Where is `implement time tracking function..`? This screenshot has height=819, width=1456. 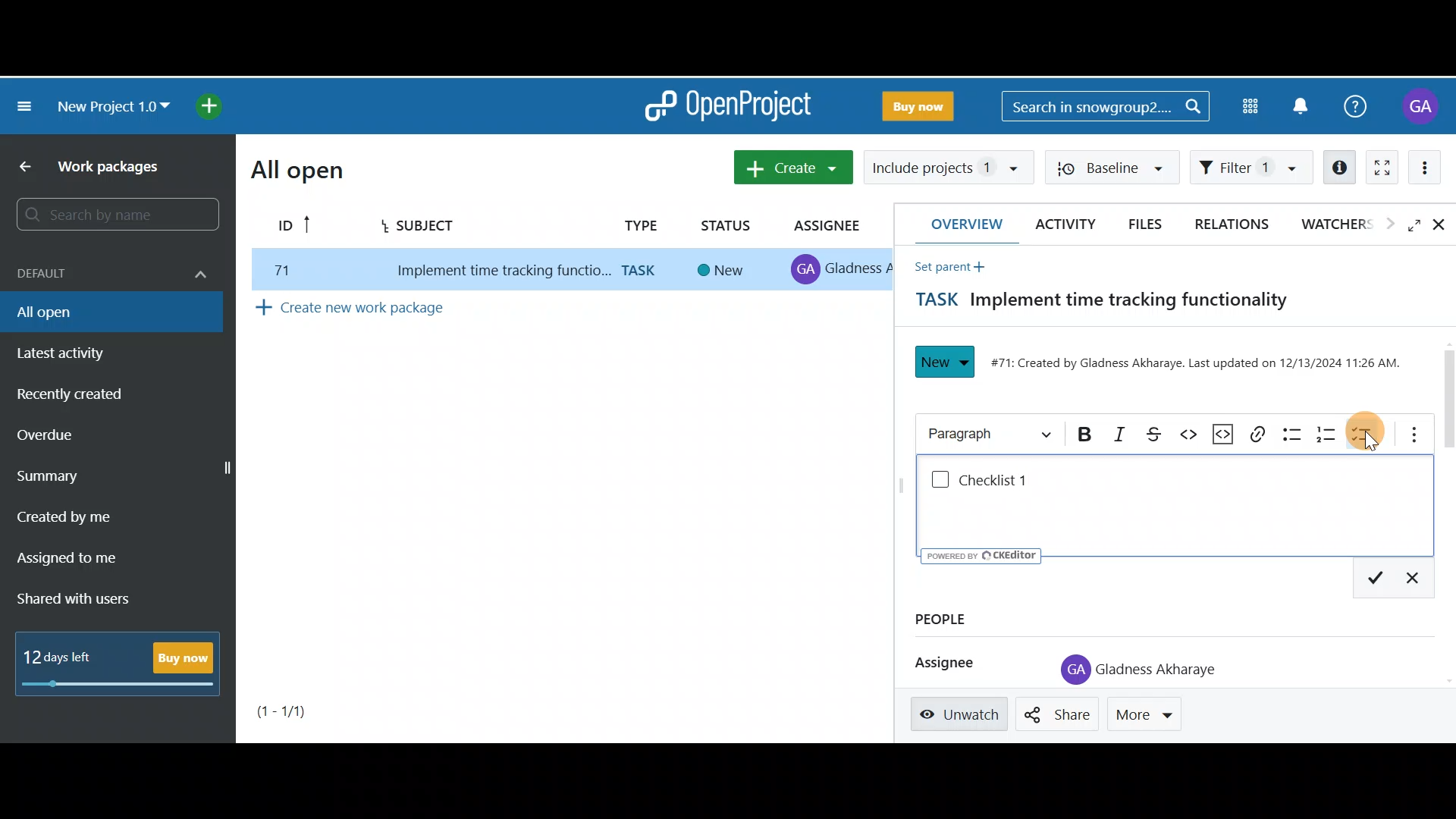
implement time tracking function.. is located at coordinates (494, 271).